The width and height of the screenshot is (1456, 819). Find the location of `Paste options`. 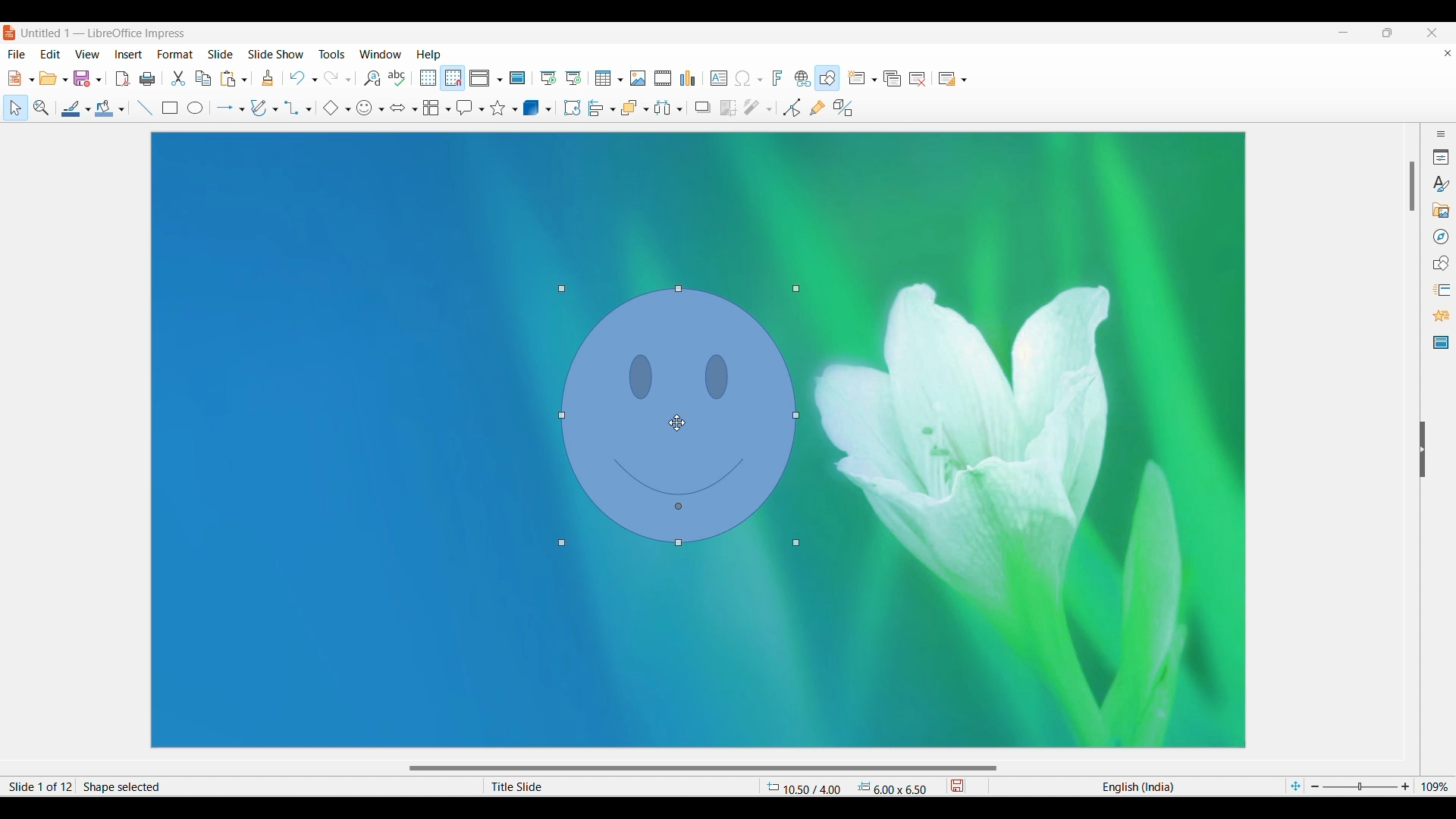

Paste options is located at coordinates (244, 80).